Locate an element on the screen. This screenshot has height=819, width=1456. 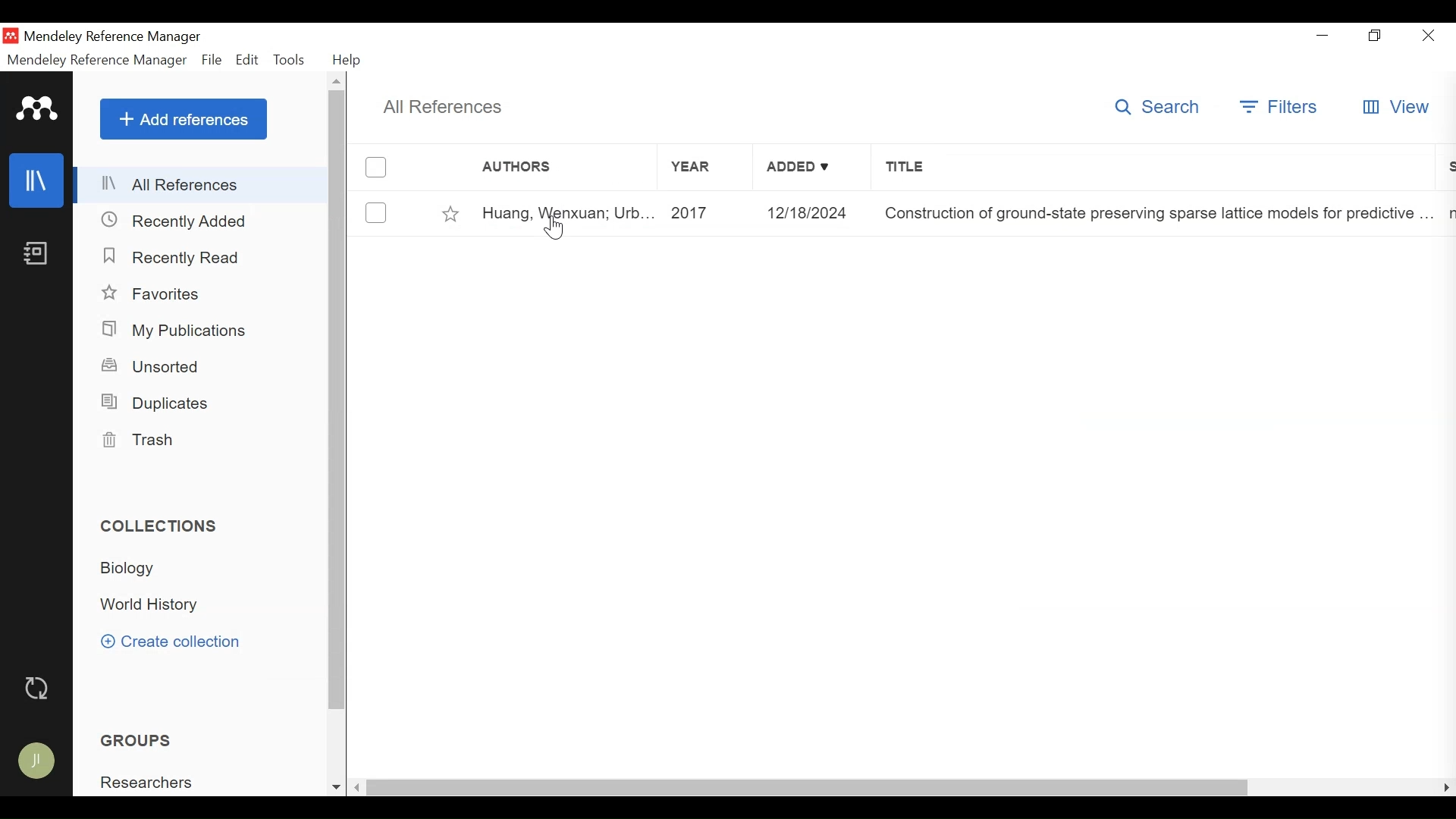
2017 is located at coordinates (708, 213).